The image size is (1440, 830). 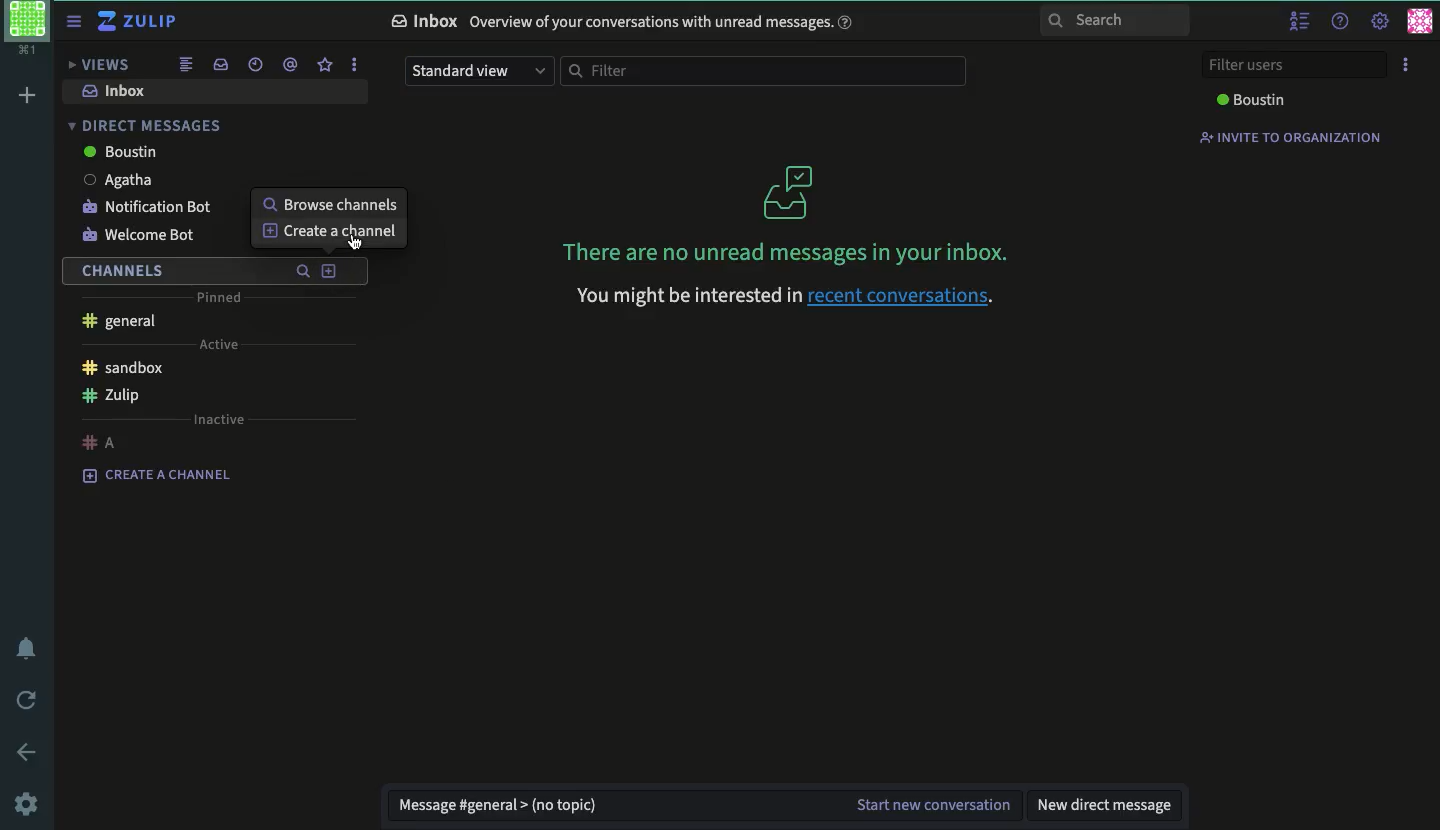 What do you see at coordinates (137, 21) in the screenshot?
I see `Zulip` at bounding box center [137, 21].